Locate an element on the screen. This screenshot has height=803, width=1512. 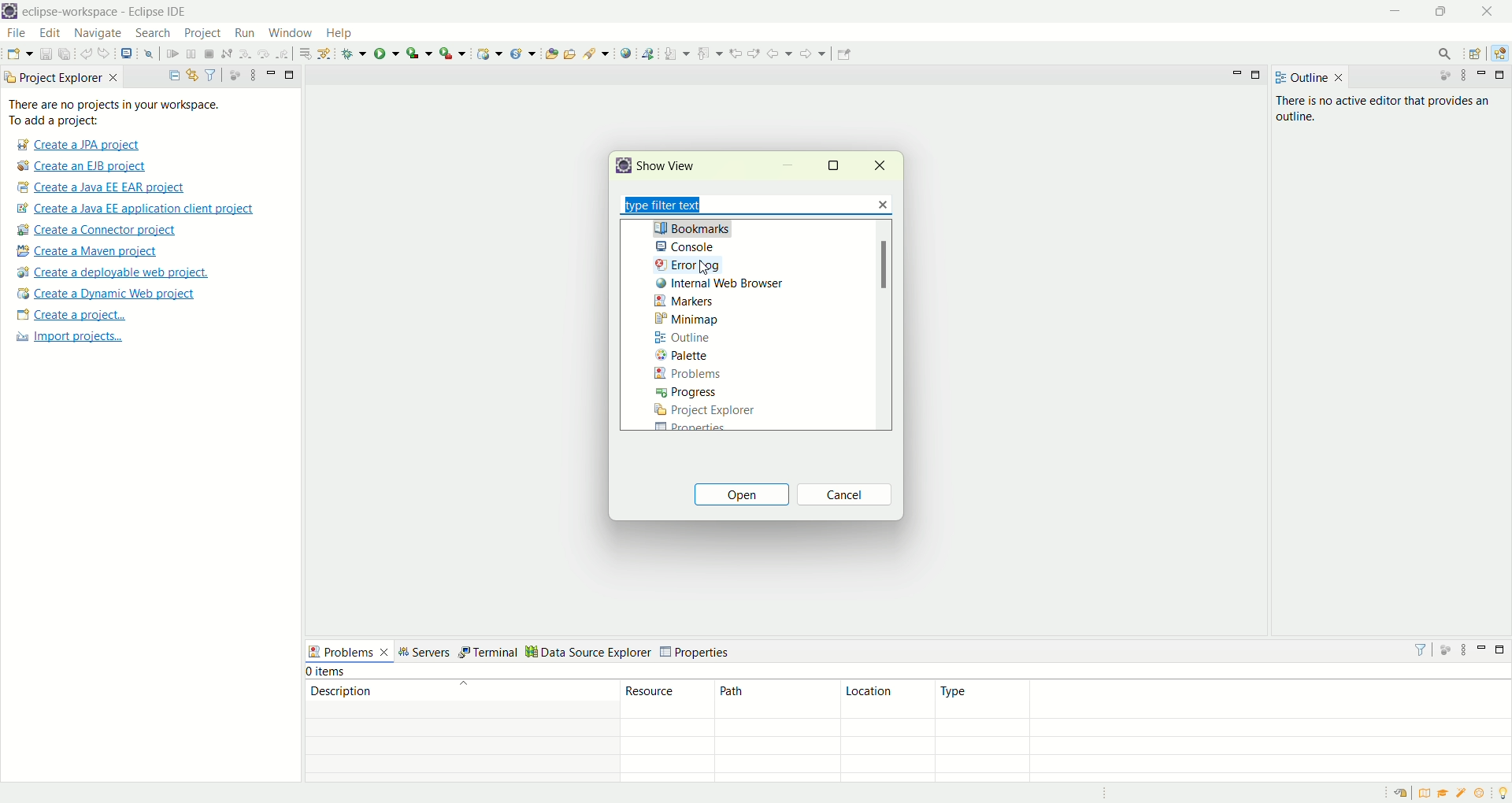
import projects is located at coordinates (79, 342).